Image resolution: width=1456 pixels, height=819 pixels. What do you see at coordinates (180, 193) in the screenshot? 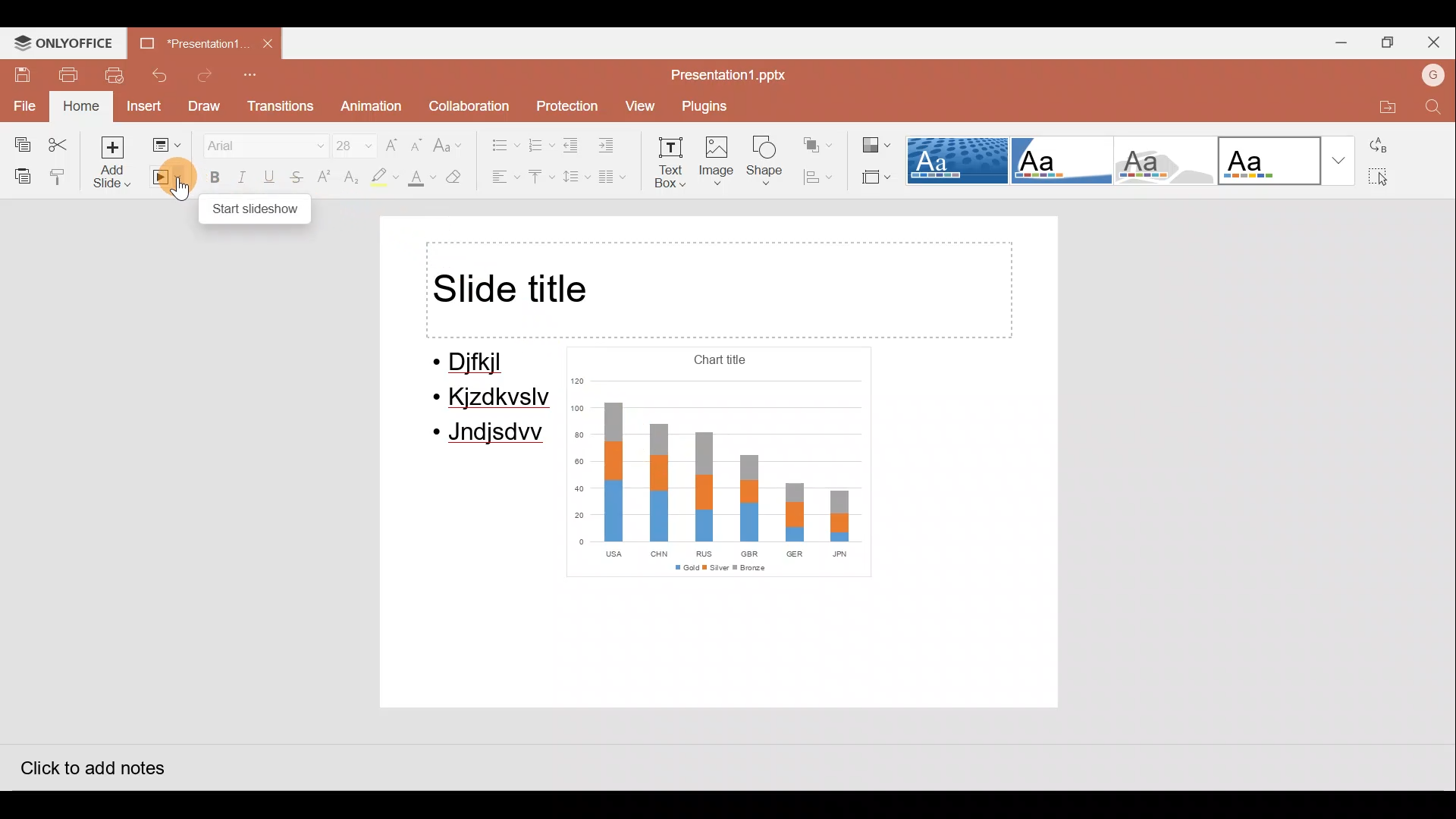
I see `cursor` at bounding box center [180, 193].